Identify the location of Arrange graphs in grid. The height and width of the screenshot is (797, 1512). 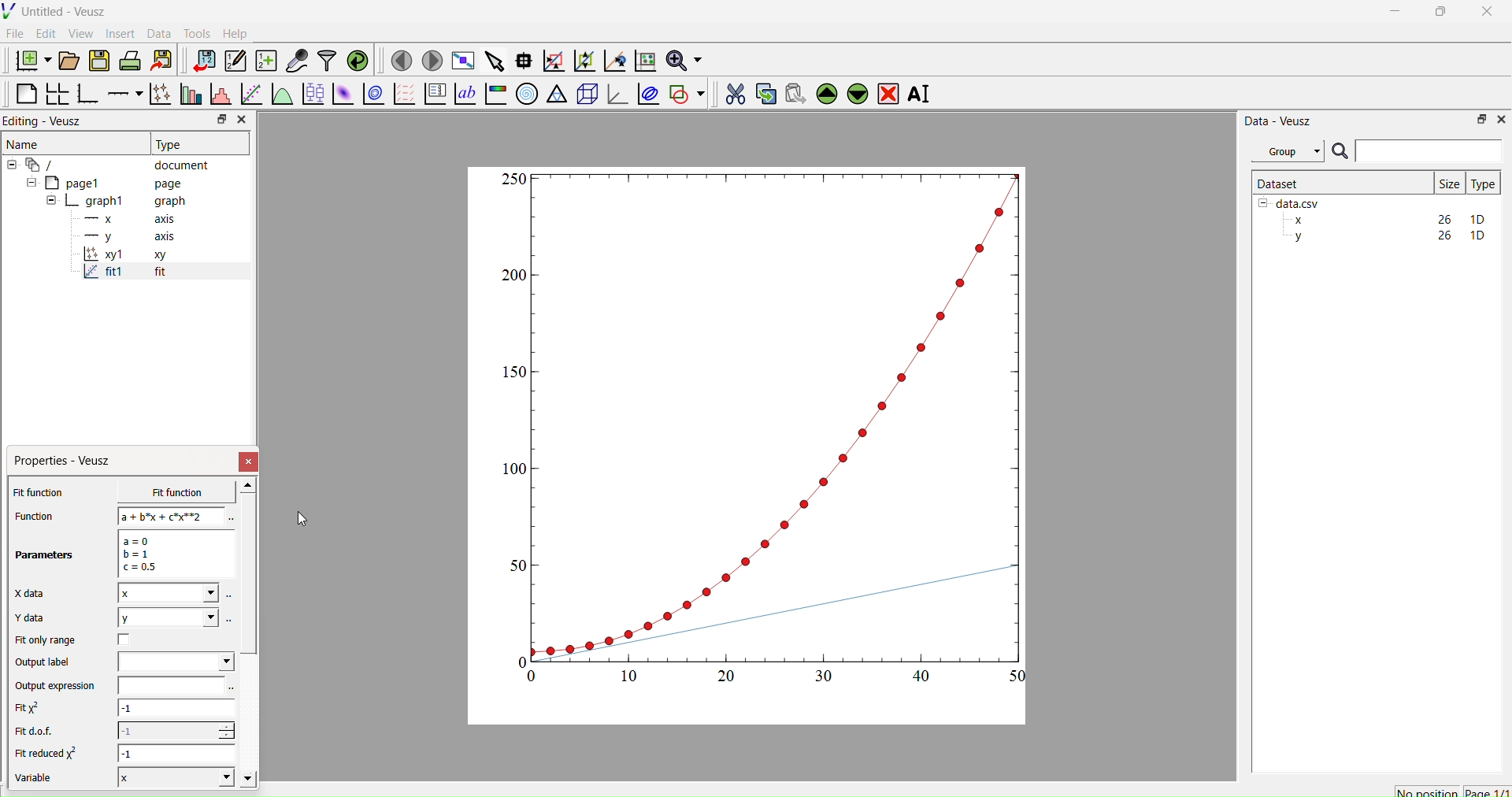
(57, 95).